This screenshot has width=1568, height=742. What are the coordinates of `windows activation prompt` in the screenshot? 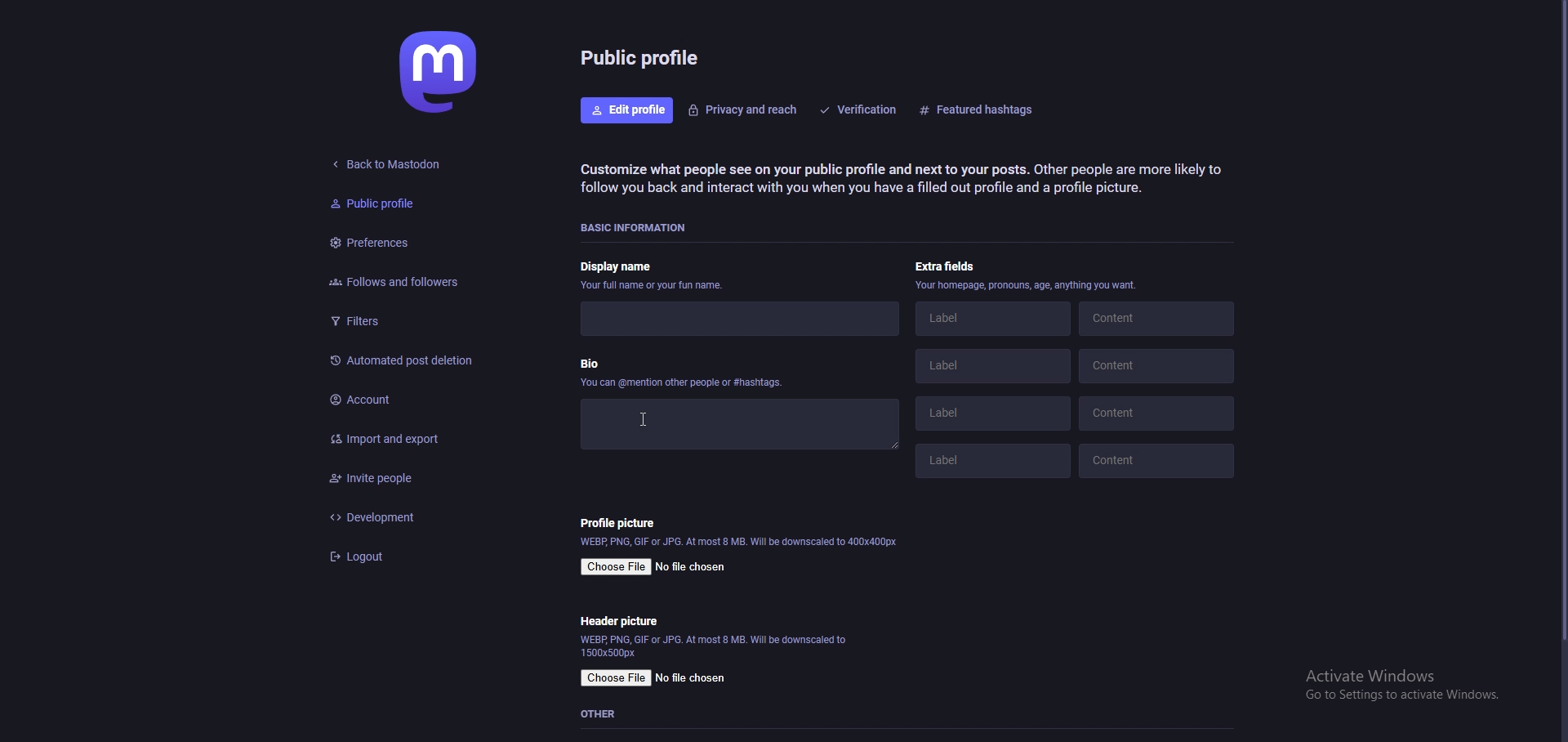 It's located at (1399, 684).